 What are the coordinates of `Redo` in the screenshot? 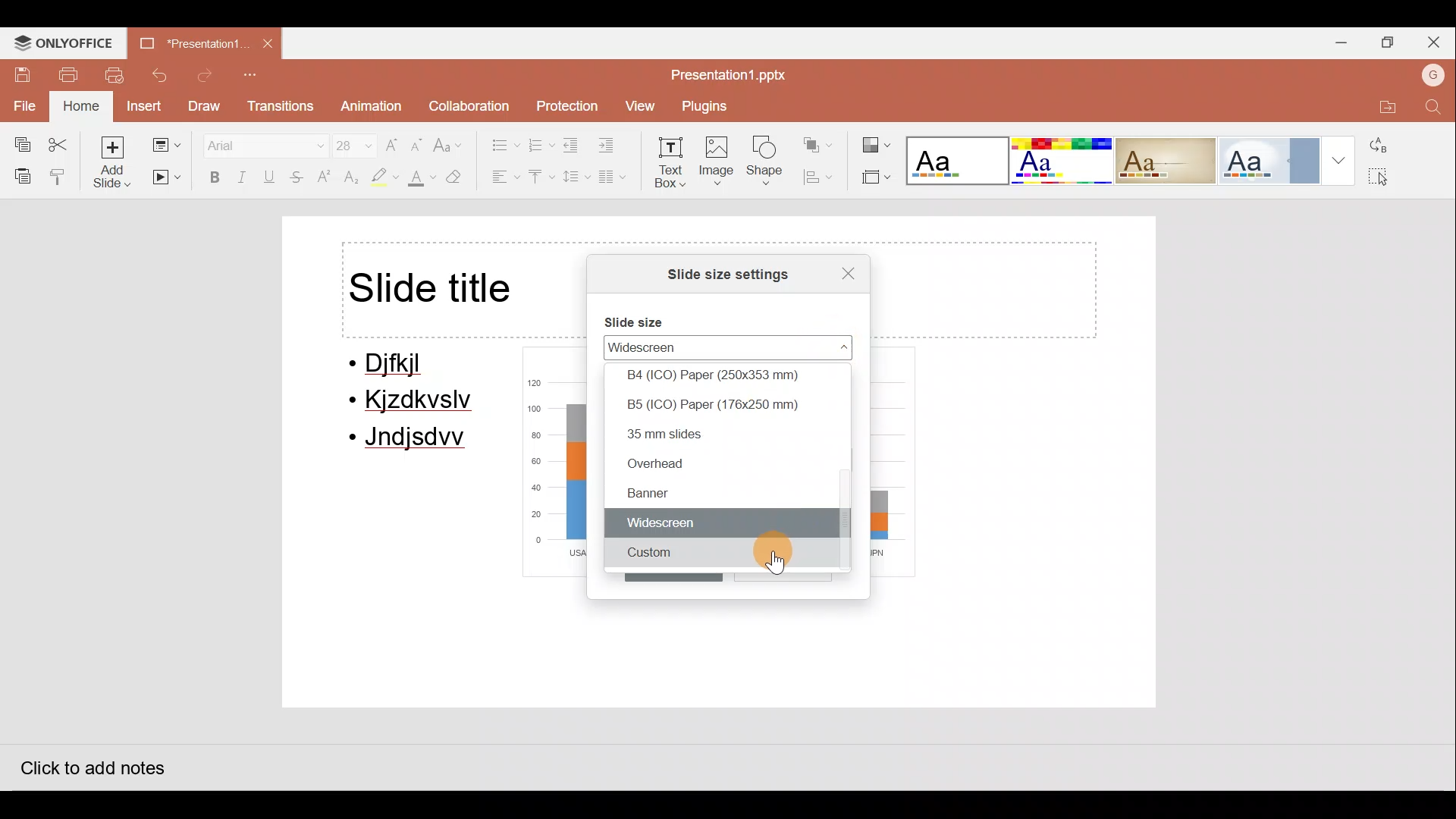 It's located at (206, 76).